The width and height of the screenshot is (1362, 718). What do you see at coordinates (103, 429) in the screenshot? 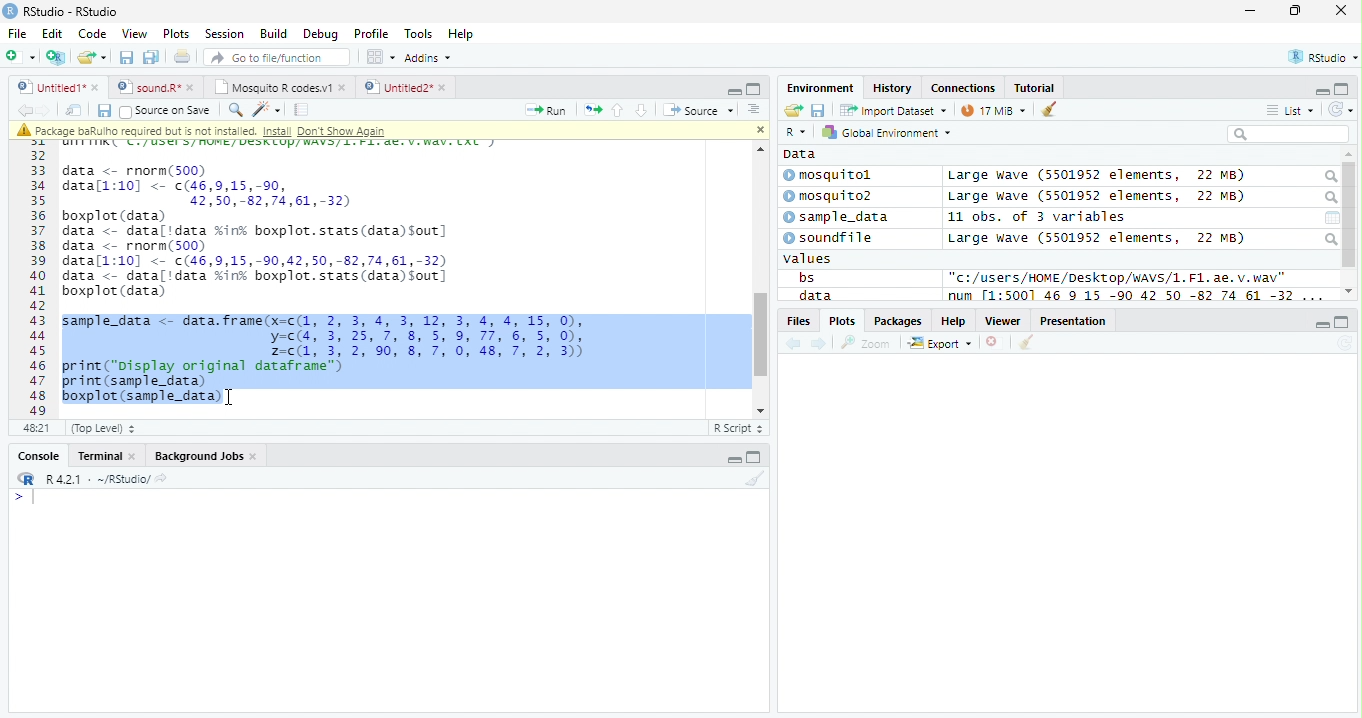
I see `(Top Level)` at bounding box center [103, 429].